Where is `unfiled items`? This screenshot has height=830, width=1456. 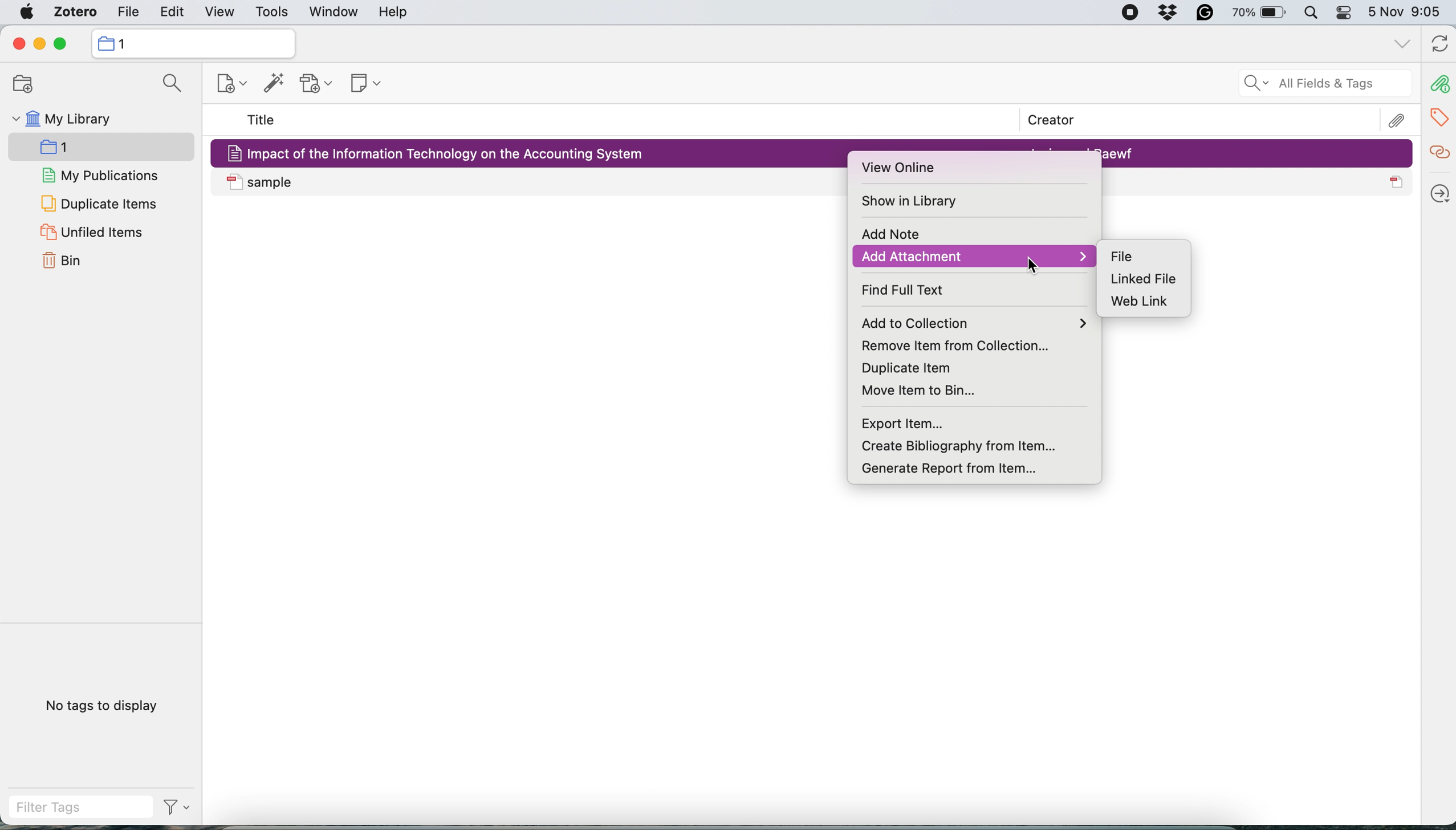
unfiled items is located at coordinates (91, 233).